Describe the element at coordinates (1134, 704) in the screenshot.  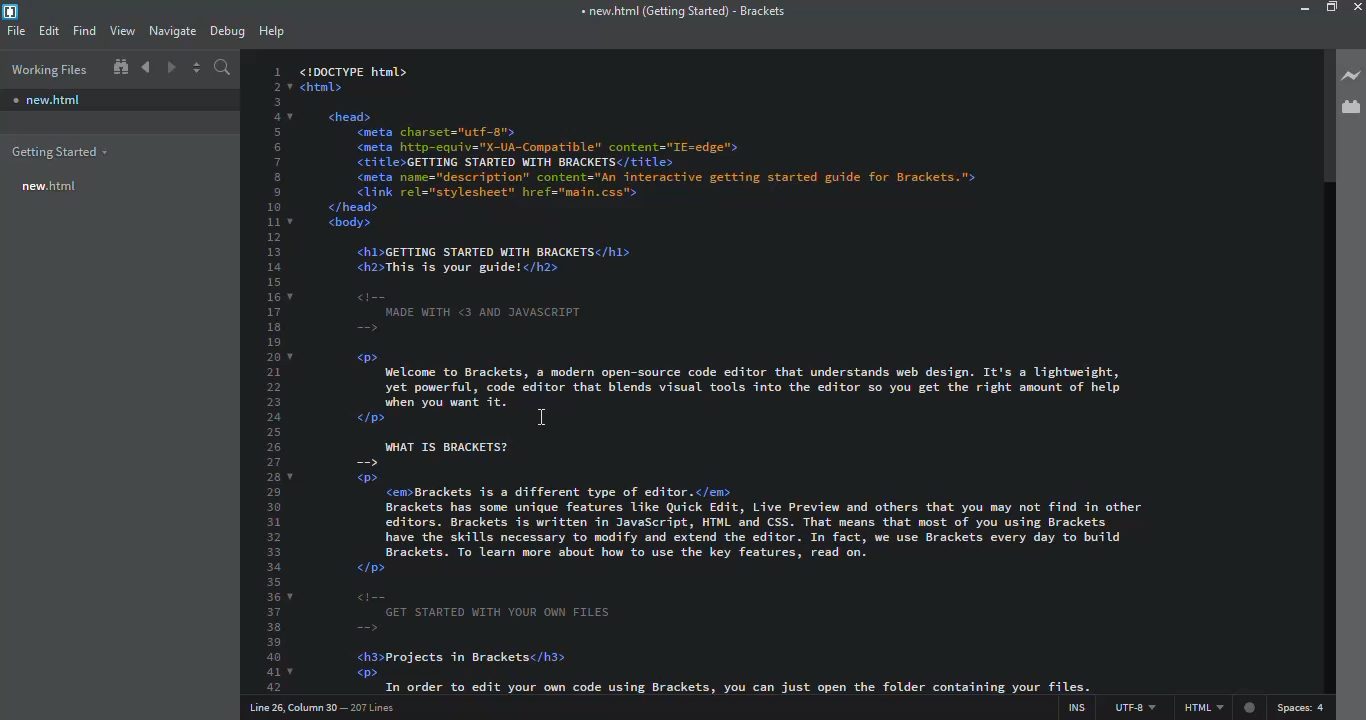
I see `utf 8` at that location.